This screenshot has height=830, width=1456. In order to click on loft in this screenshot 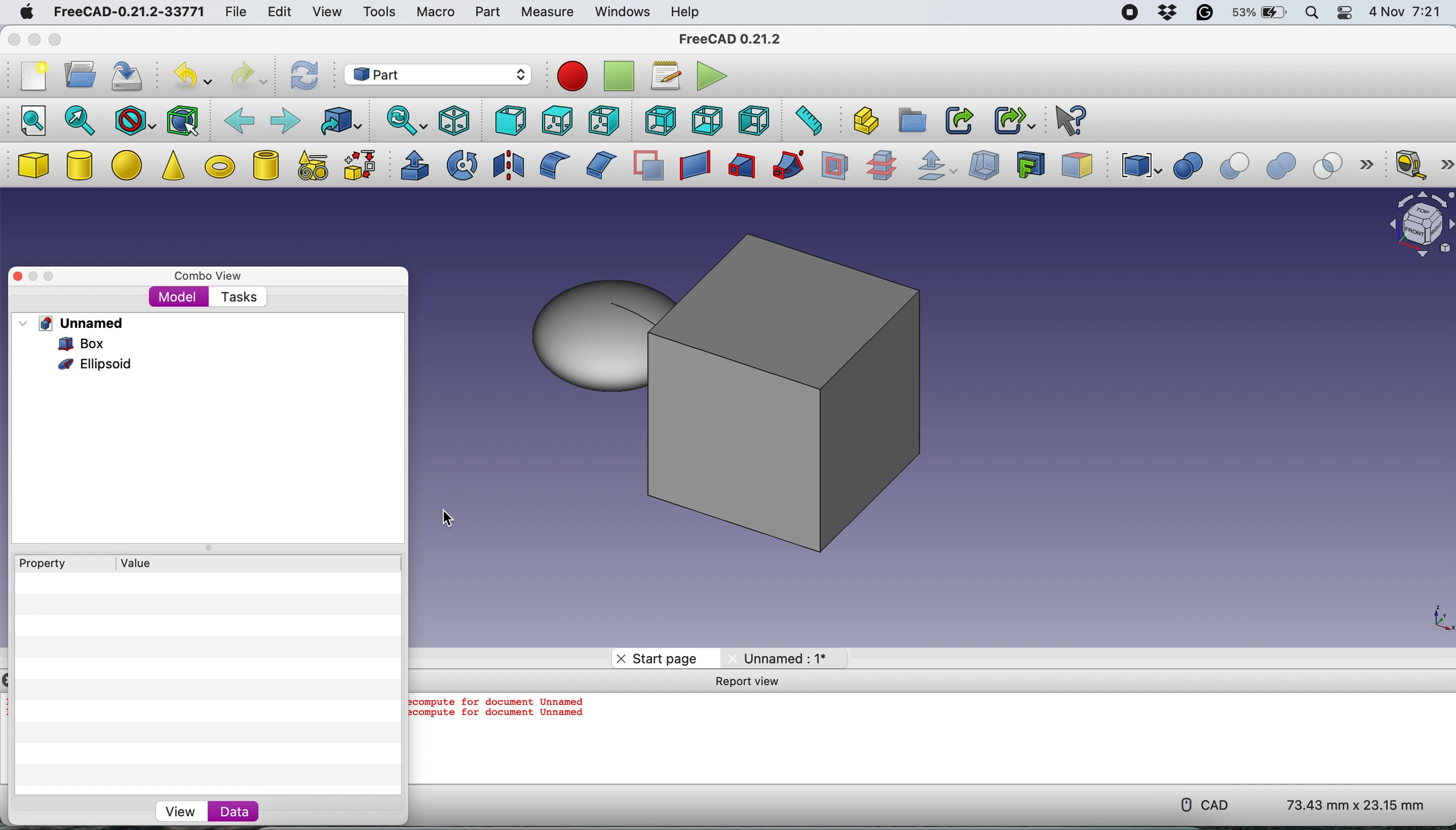, I will do `click(740, 168)`.